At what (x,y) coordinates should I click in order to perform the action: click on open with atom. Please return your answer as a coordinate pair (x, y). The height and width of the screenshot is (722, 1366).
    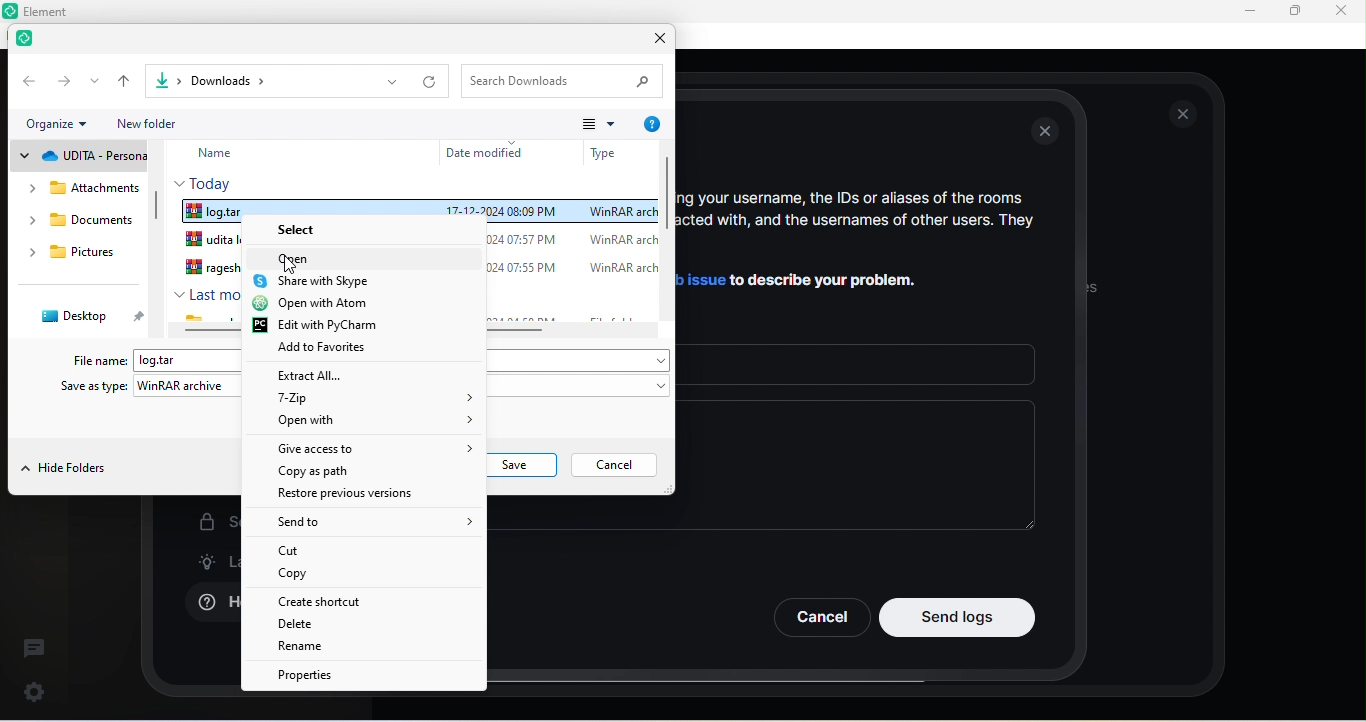
    Looking at the image, I should click on (336, 305).